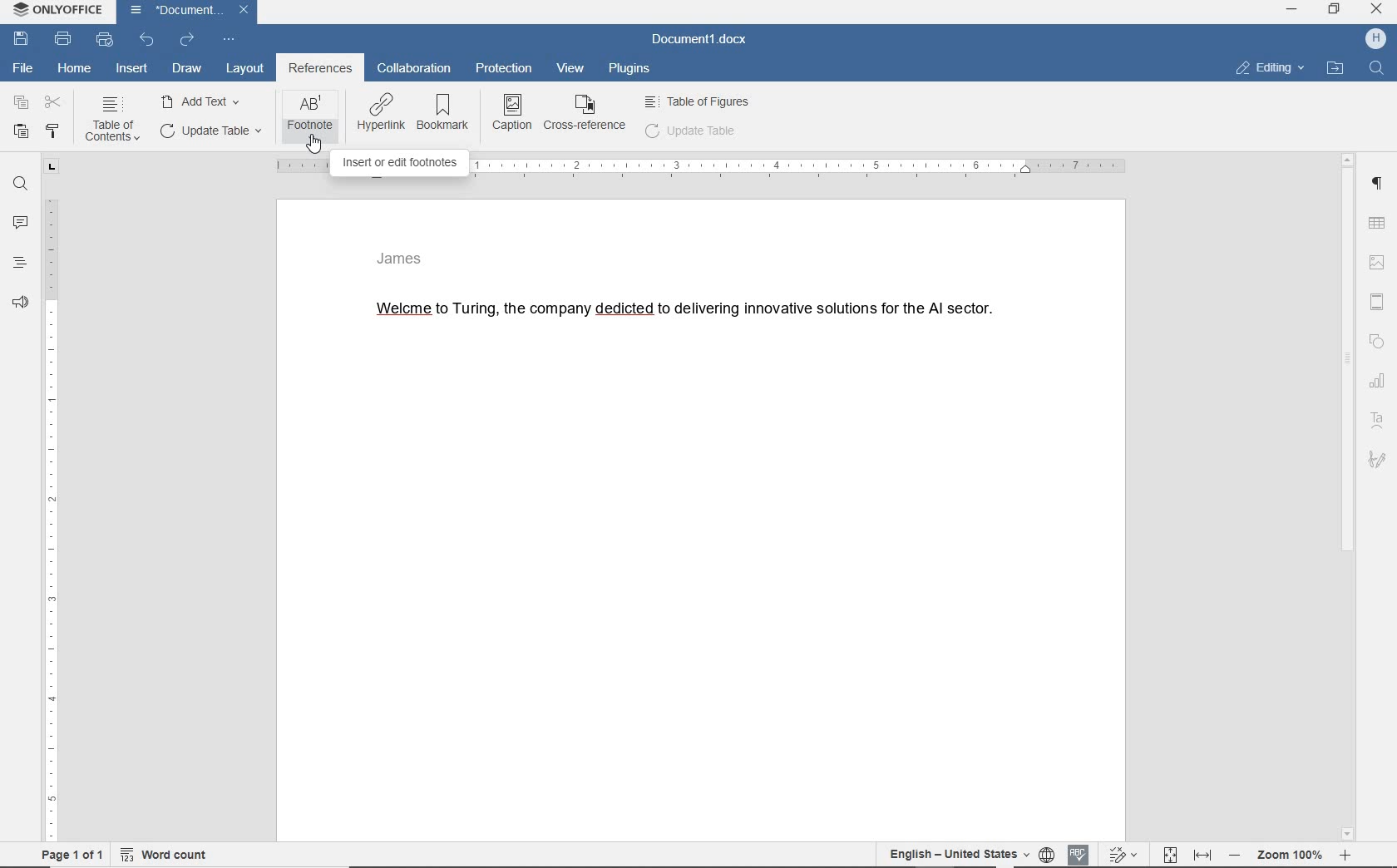 The height and width of the screenshot is (868, 1397). Describe the element at coordinates (1375, 40) in the screenshot. I see `HP` at that location.